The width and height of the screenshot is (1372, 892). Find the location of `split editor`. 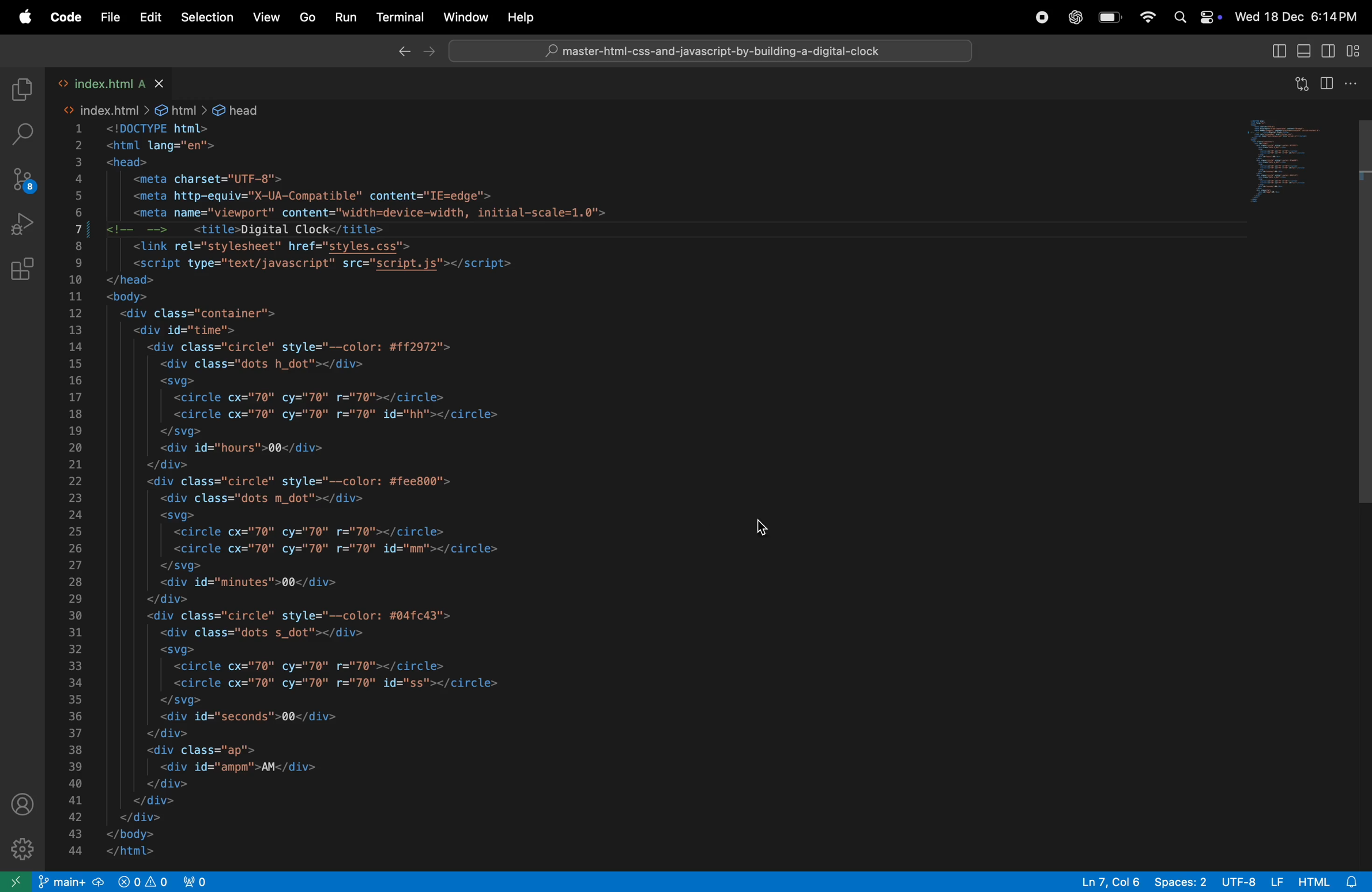

split editor is located at coordinates (1327, 84).